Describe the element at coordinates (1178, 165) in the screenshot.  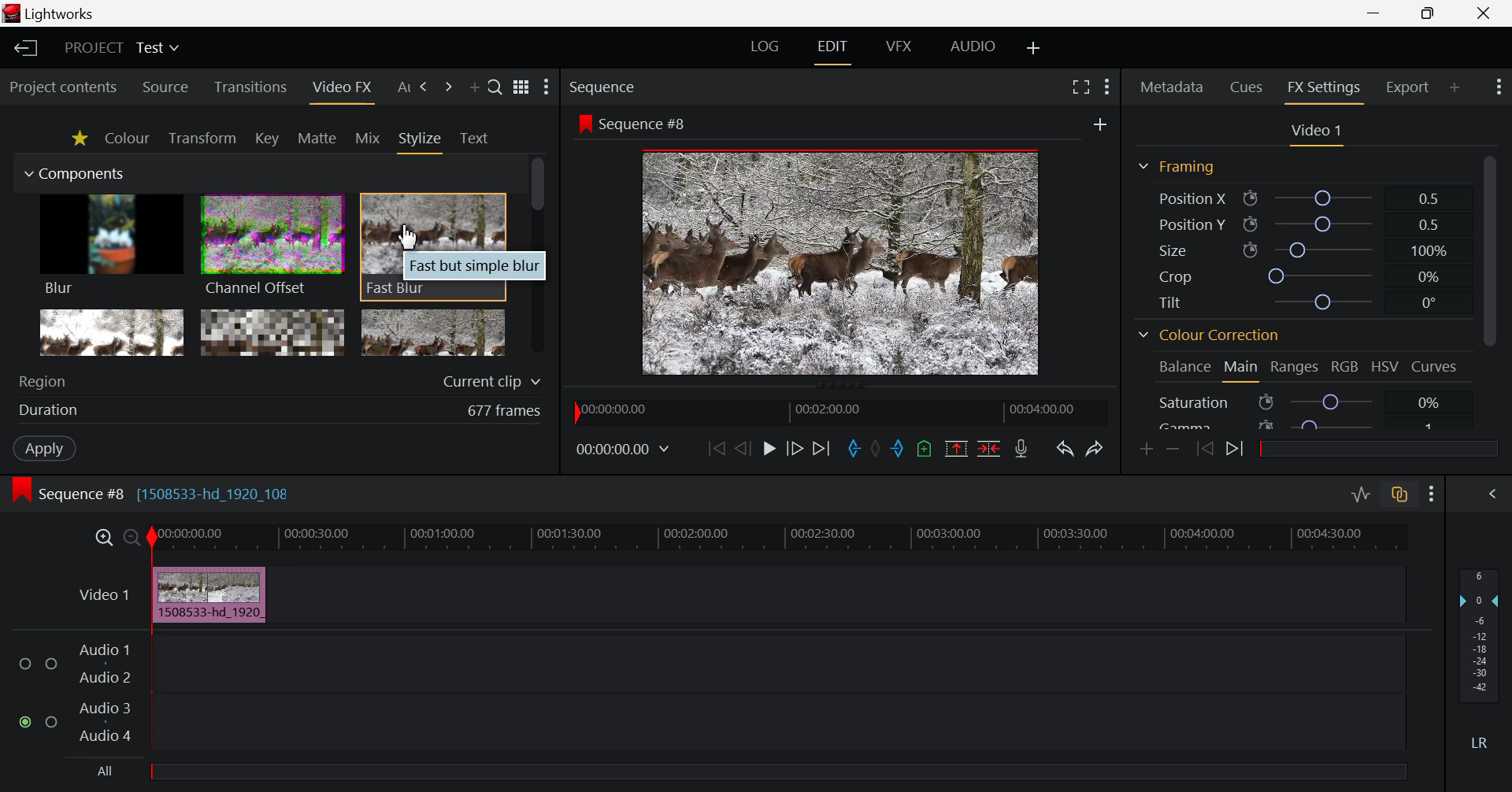
I see `Framing Section` at that location.